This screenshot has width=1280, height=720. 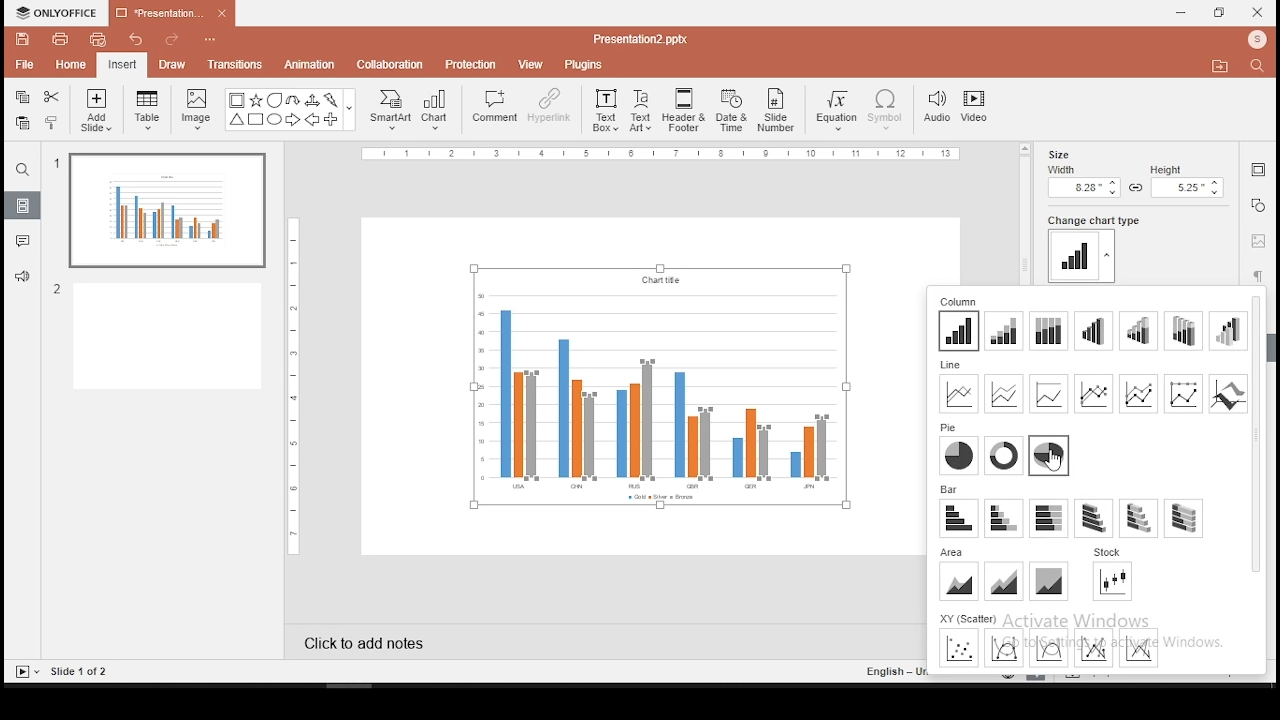 What do you see at coordinates (1188, 182) in the screenshot?
I see `height` at bounding box center [1188, 182].